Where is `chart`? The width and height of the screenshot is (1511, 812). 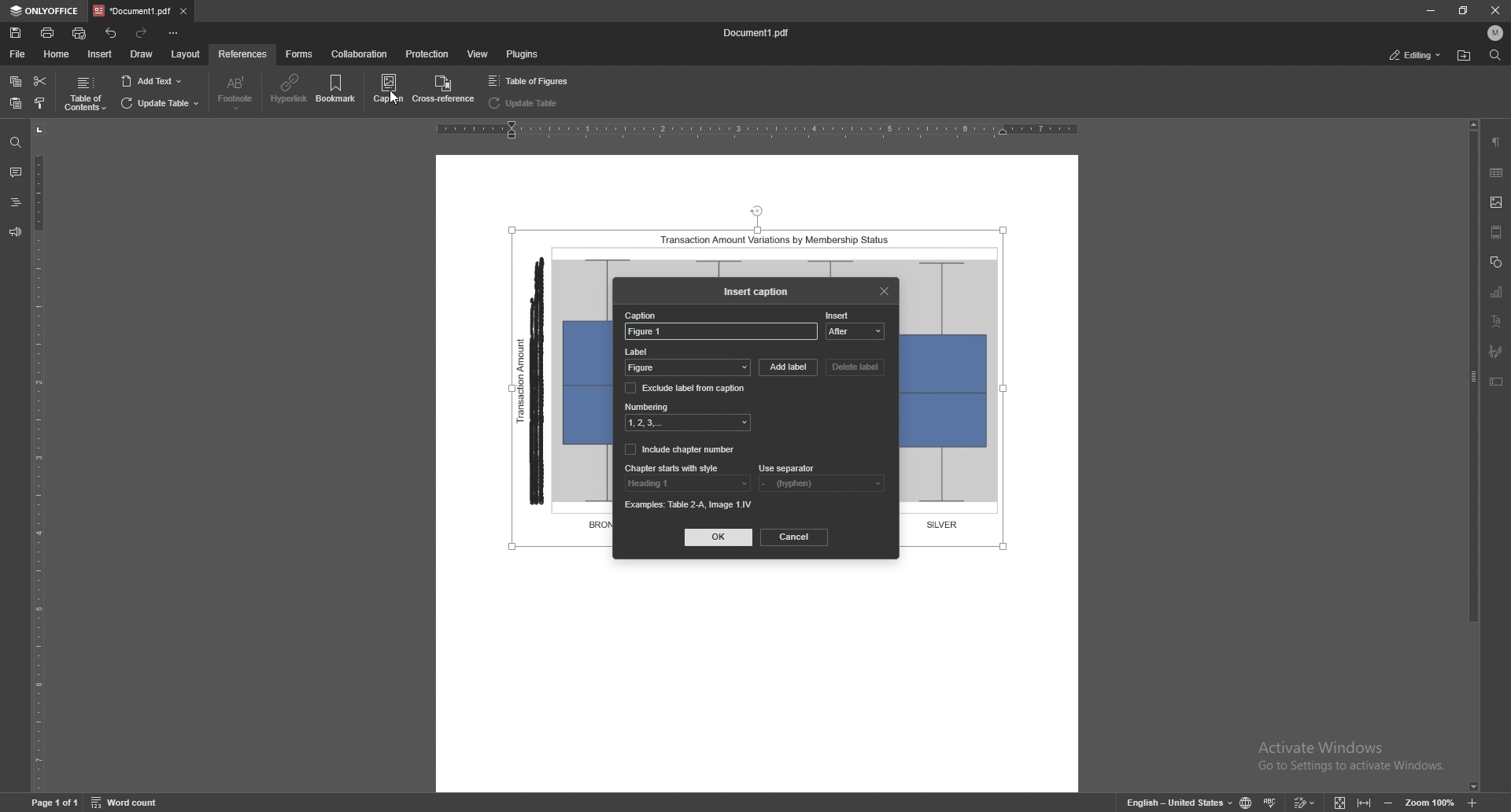
chart is located at coordinates (1498, 291).